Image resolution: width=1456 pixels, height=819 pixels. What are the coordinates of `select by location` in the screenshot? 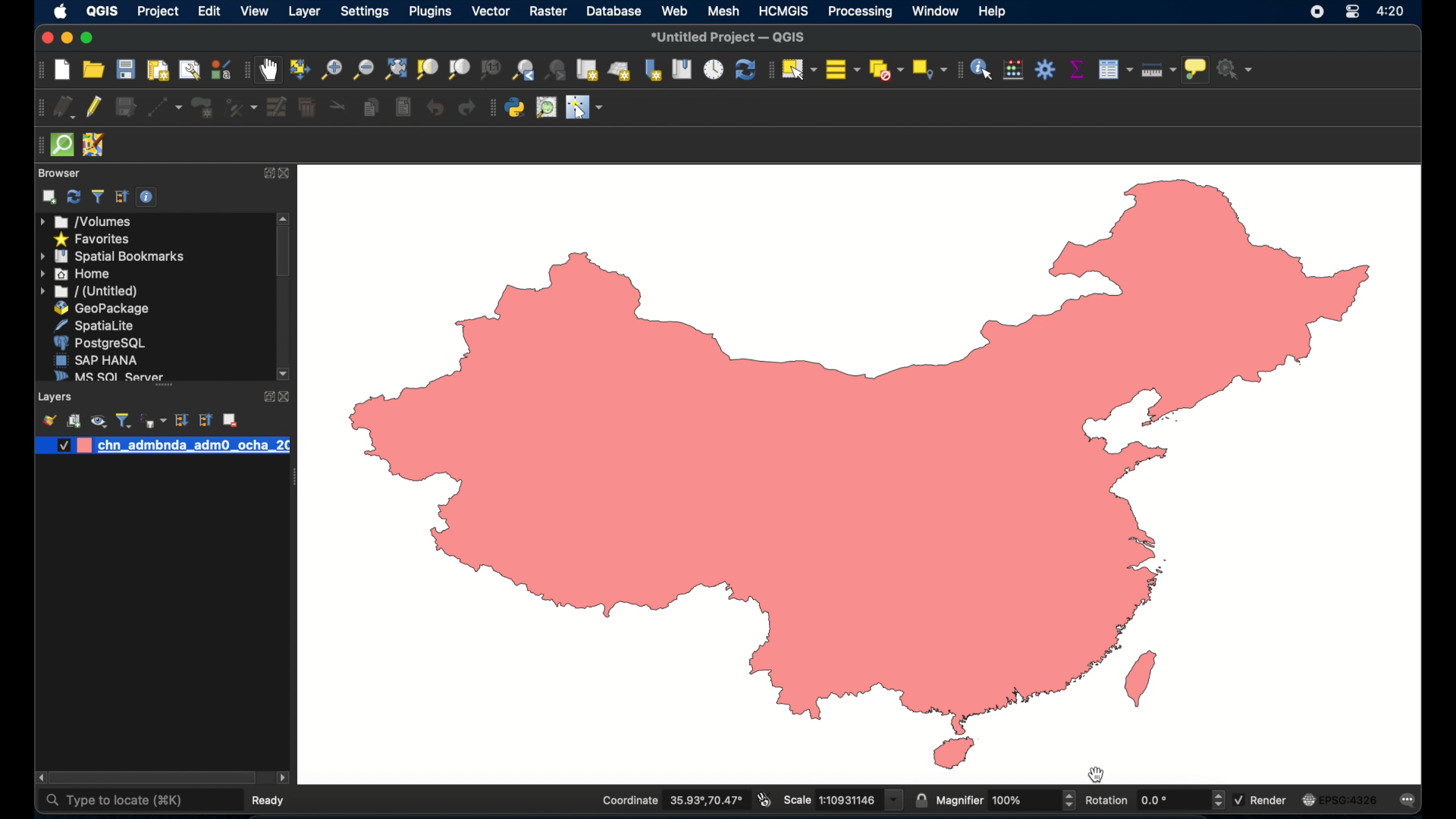 It's located at (927, 69).